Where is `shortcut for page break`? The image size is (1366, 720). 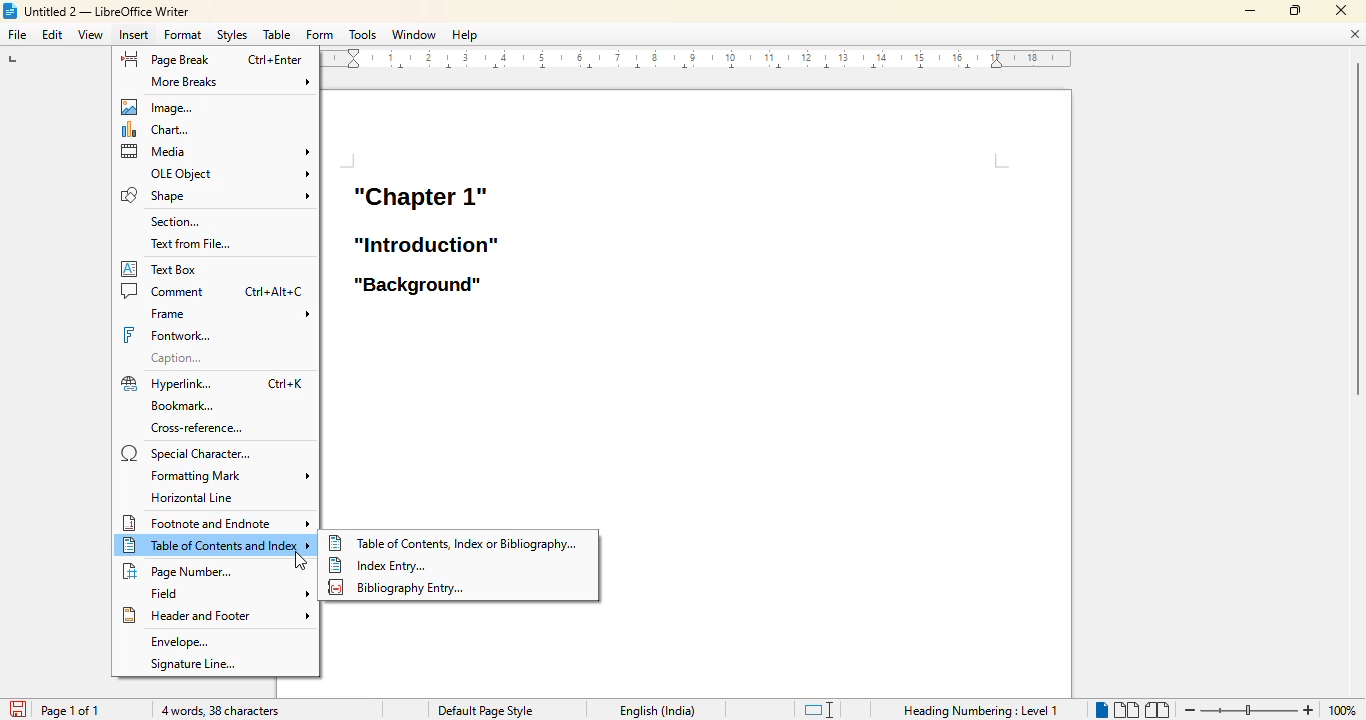 shortcut for page break is located at coordinates (274, 60).